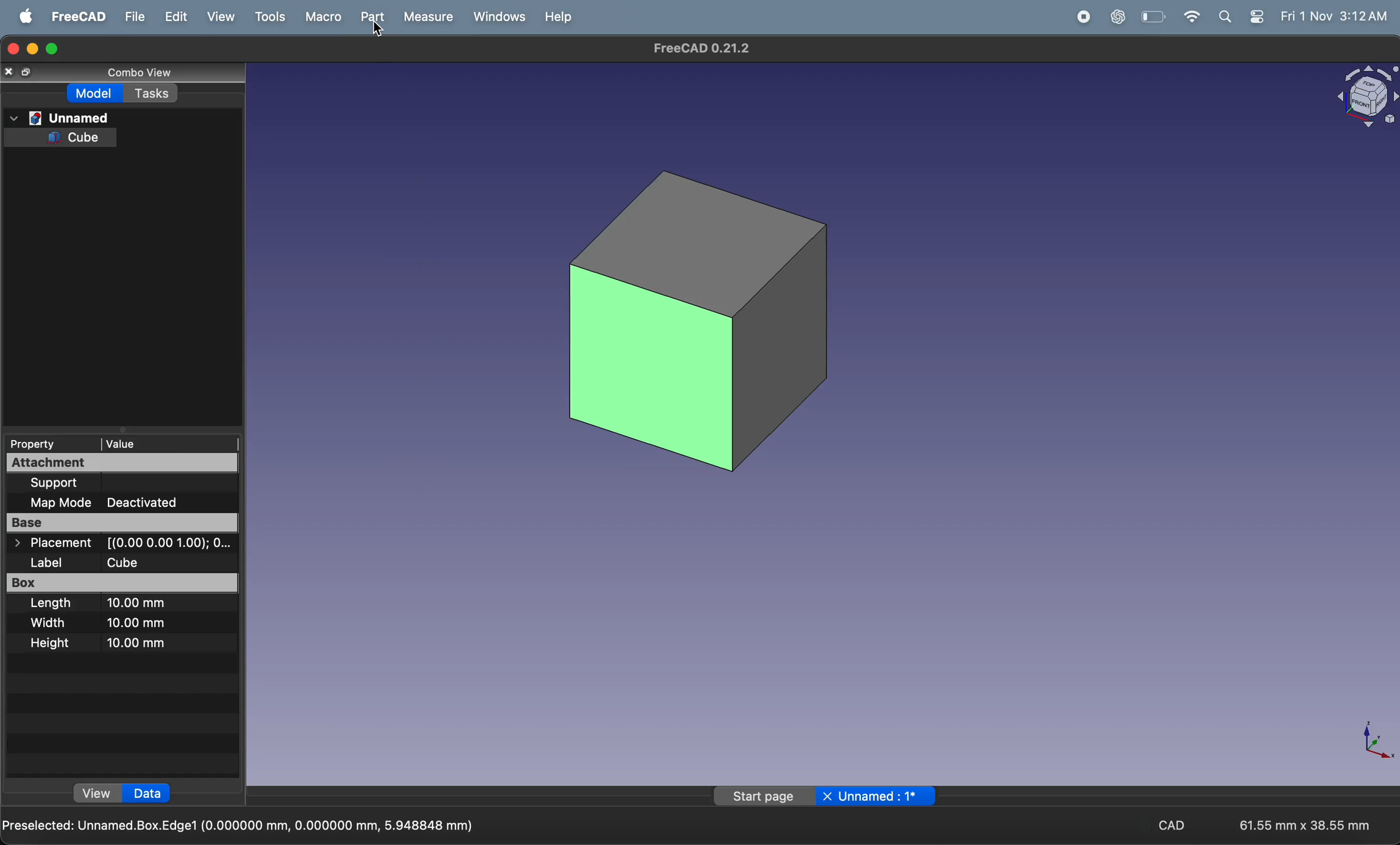 This screenshot has height=845, width=1400. What do you see at coordinates (763, 797) in the screenshot?
I see `start page` at bounding box center [763, 797].